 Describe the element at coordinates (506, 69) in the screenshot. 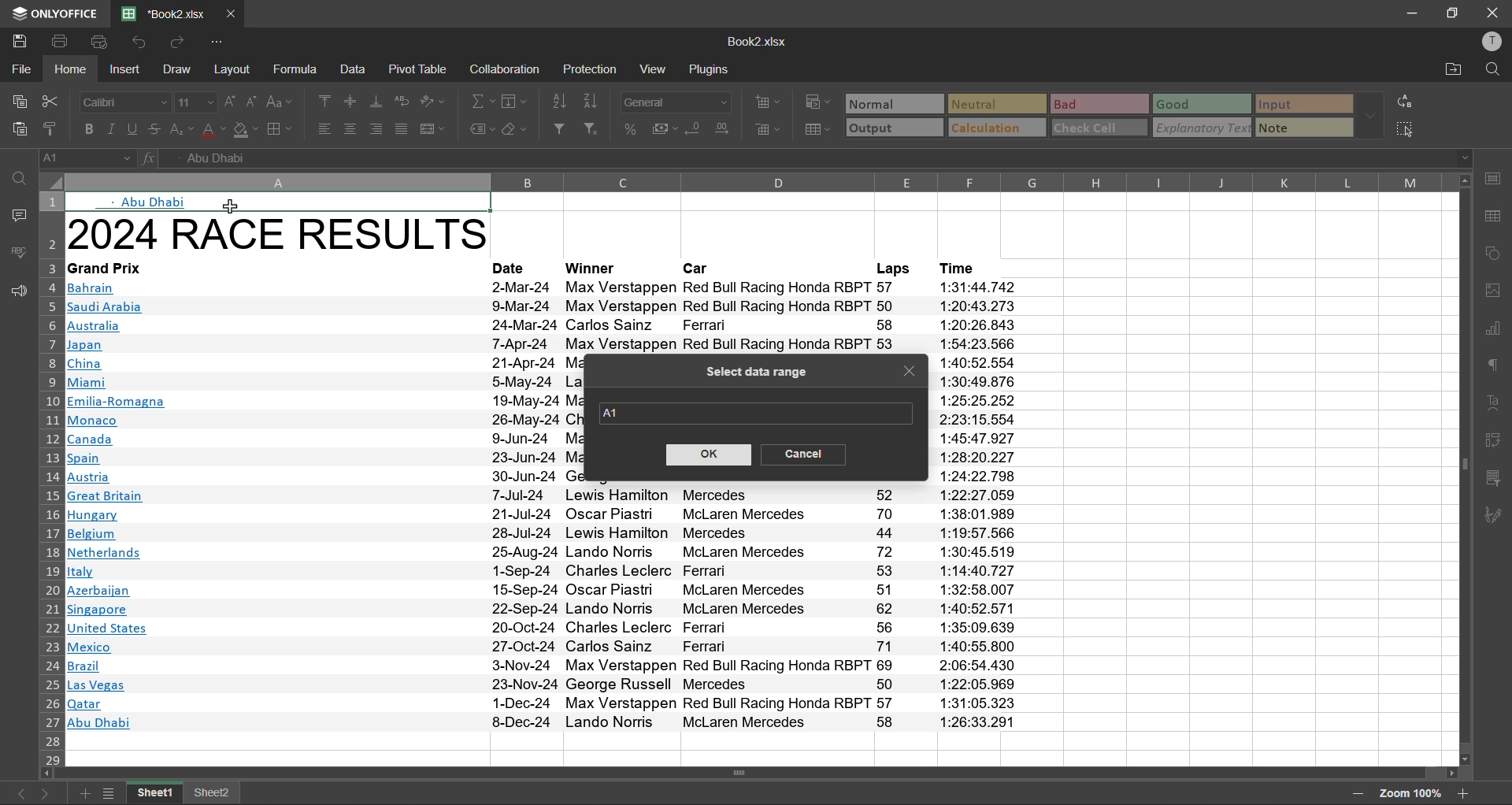

I see `collaboration` at that location.